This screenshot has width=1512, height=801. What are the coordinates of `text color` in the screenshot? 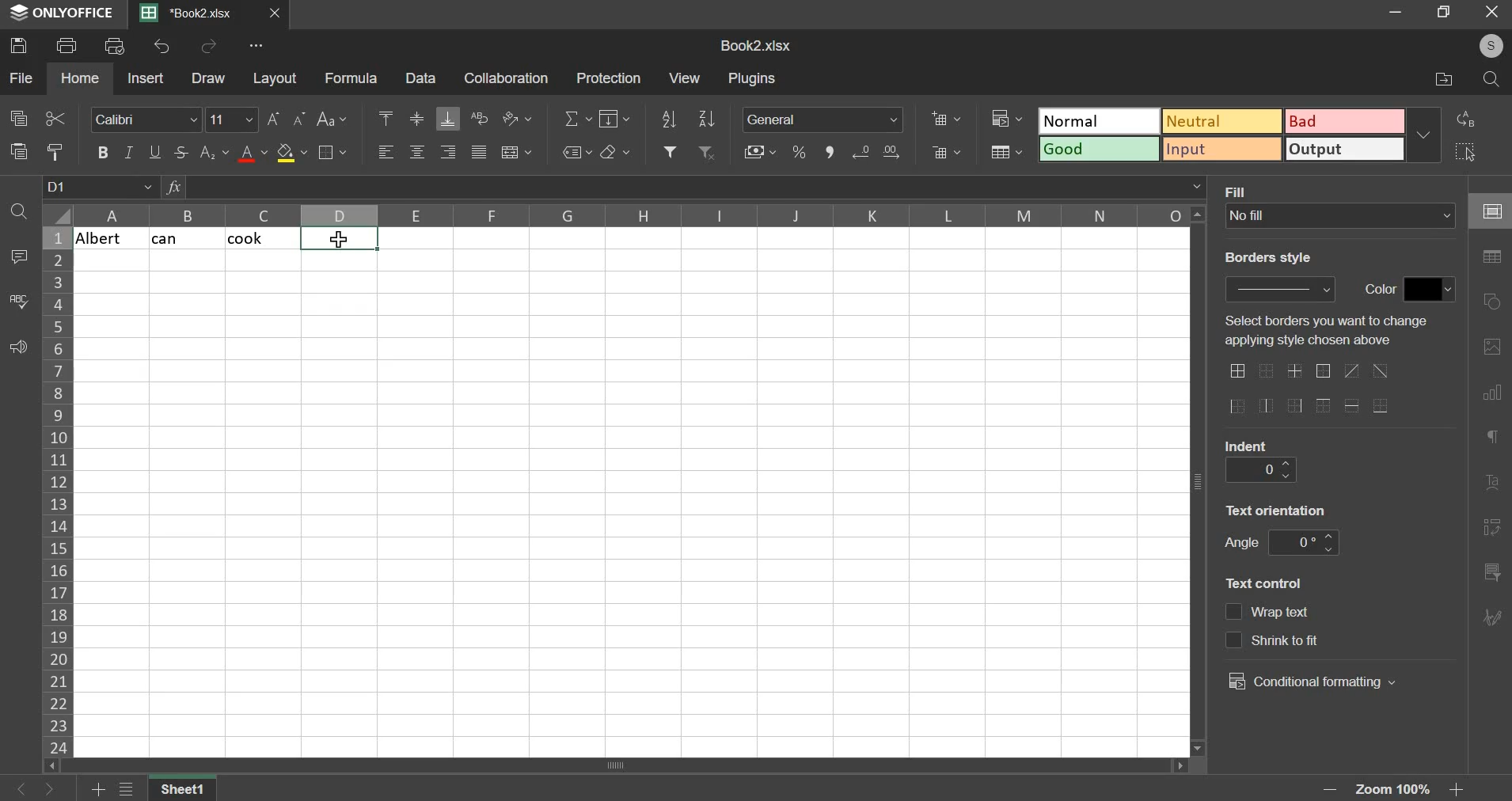 It's located at (254, 154).